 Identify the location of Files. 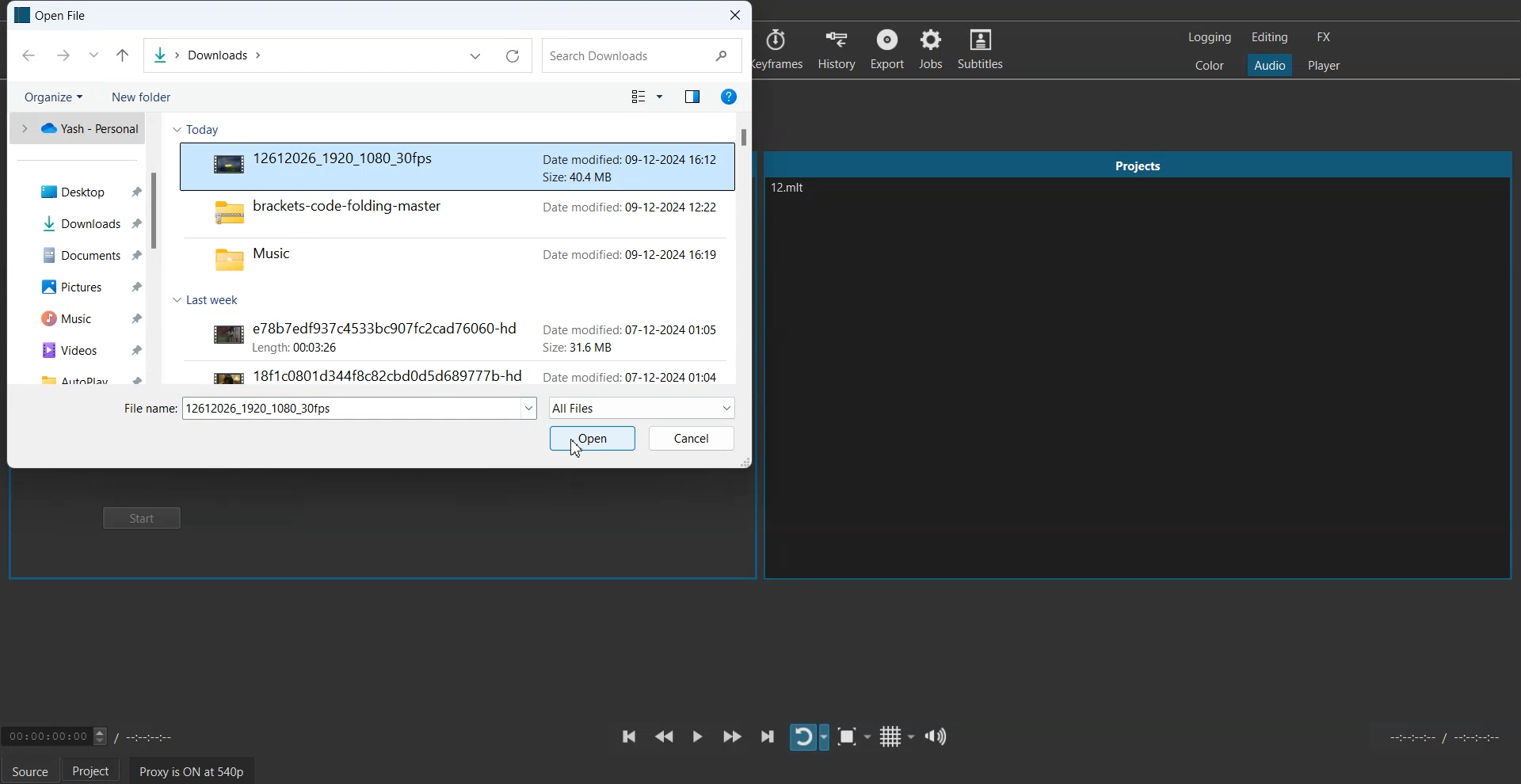
(452, 351).